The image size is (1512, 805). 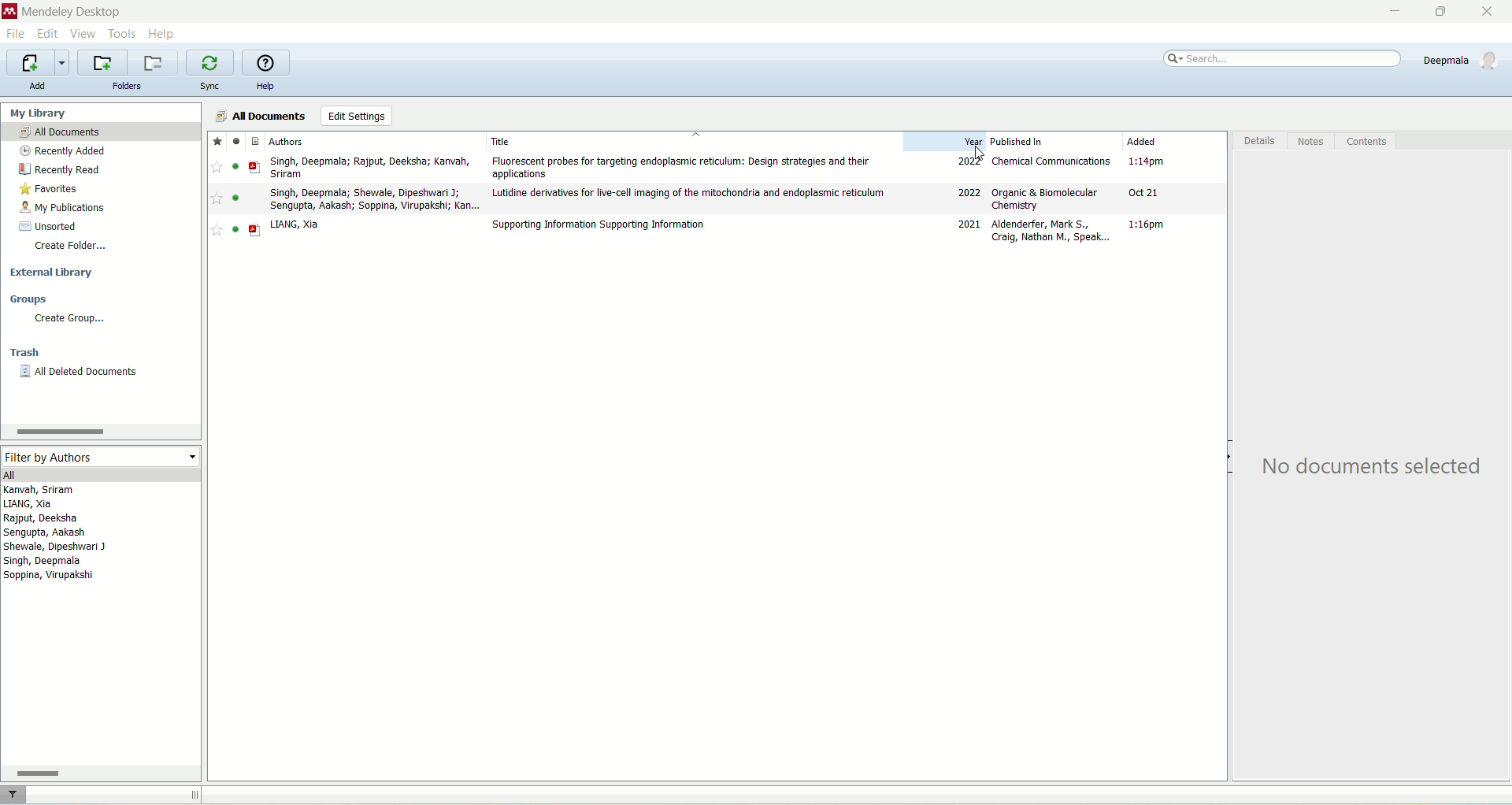 What do you see at coordinates (1461, 57) in the screenshot?
I see `account` at bounding box center [1461, 57].